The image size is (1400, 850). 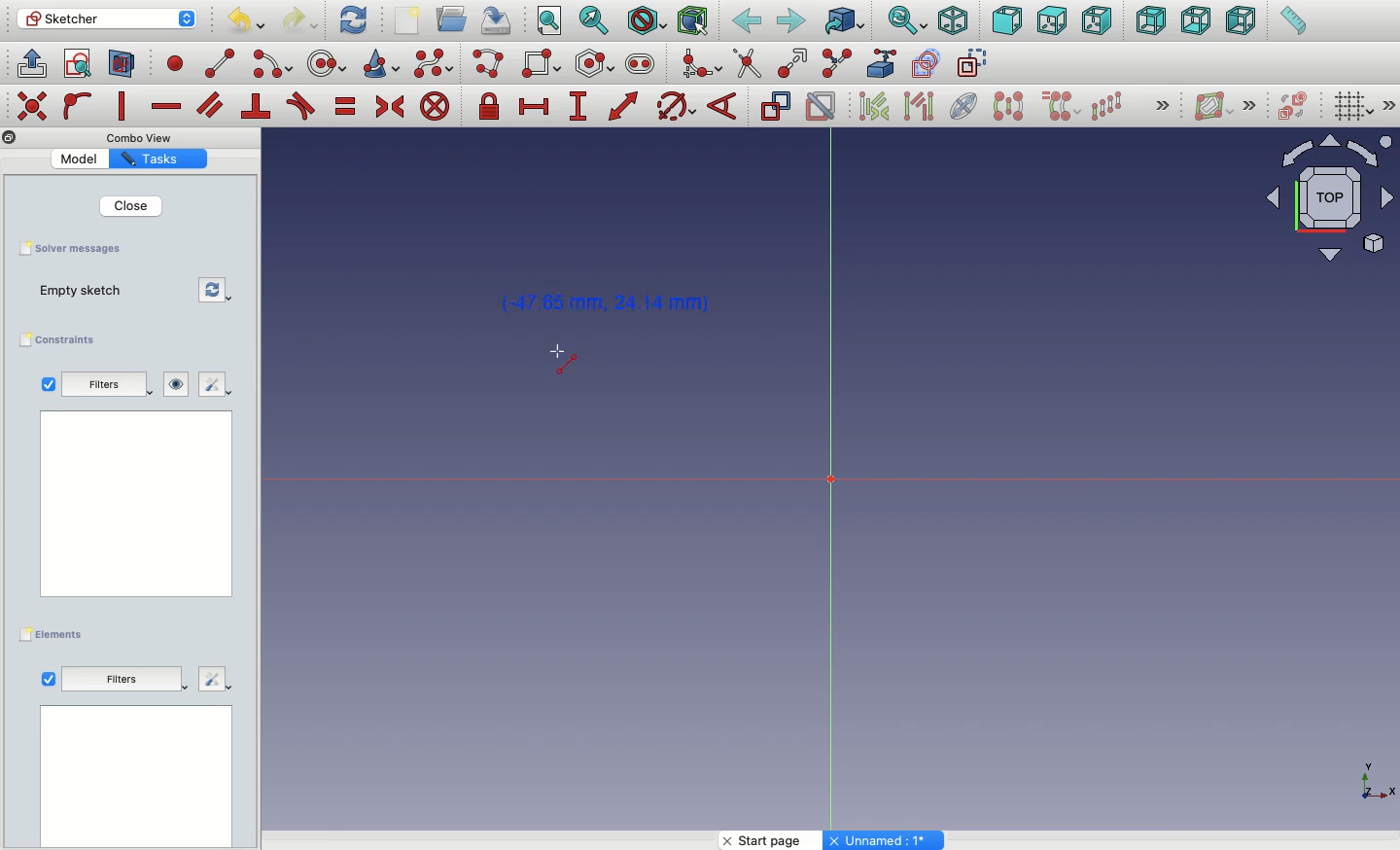 I want to click on Constrain tangent, so click(x=301, y=106).